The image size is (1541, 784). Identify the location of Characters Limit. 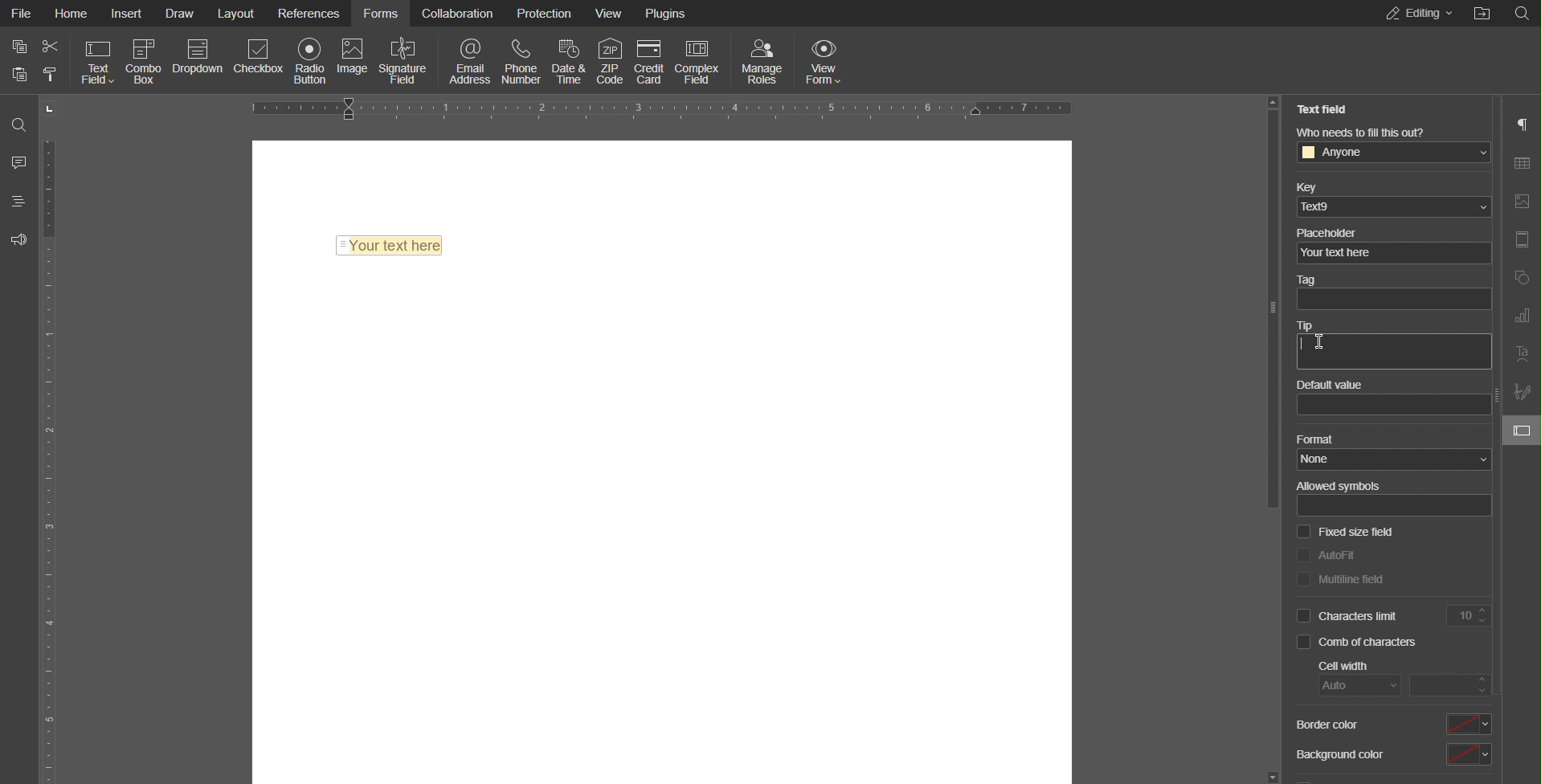
(1405, 616).